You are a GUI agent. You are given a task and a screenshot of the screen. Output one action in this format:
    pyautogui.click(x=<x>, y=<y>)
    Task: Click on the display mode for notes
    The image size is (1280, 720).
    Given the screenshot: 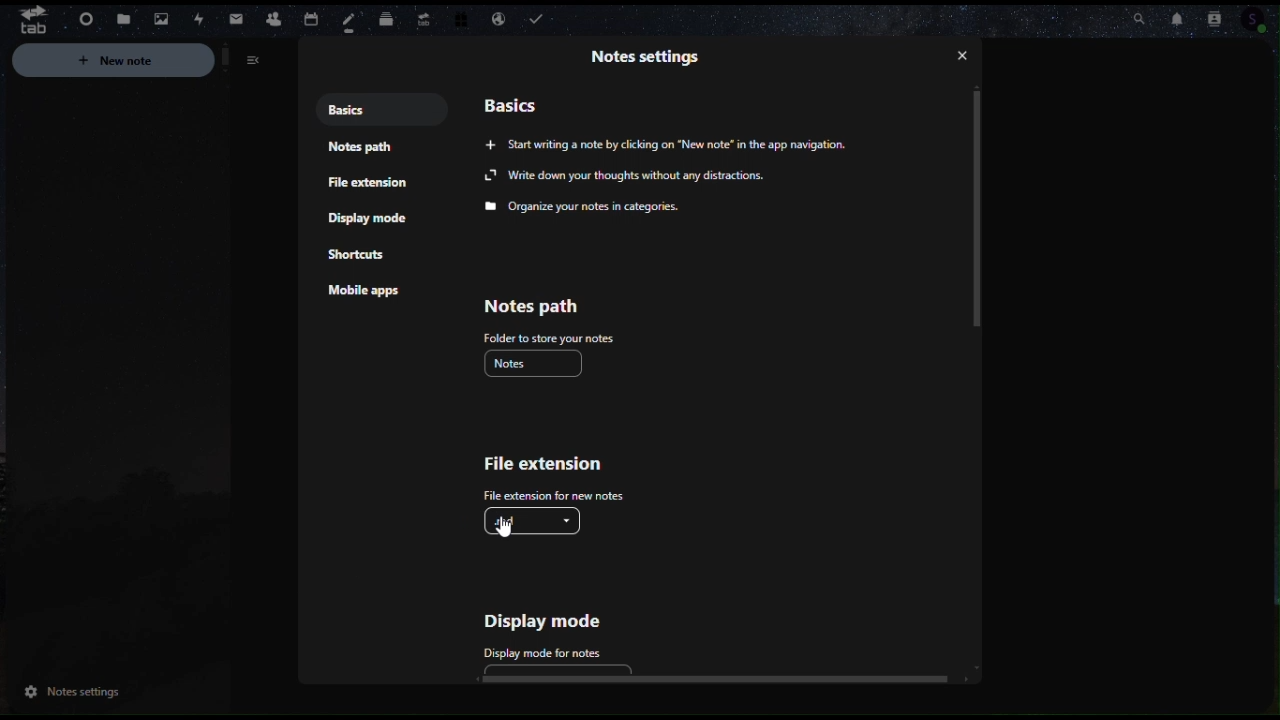 What is the action you would take?
    pyautogui.click(x=538, y=651)
    